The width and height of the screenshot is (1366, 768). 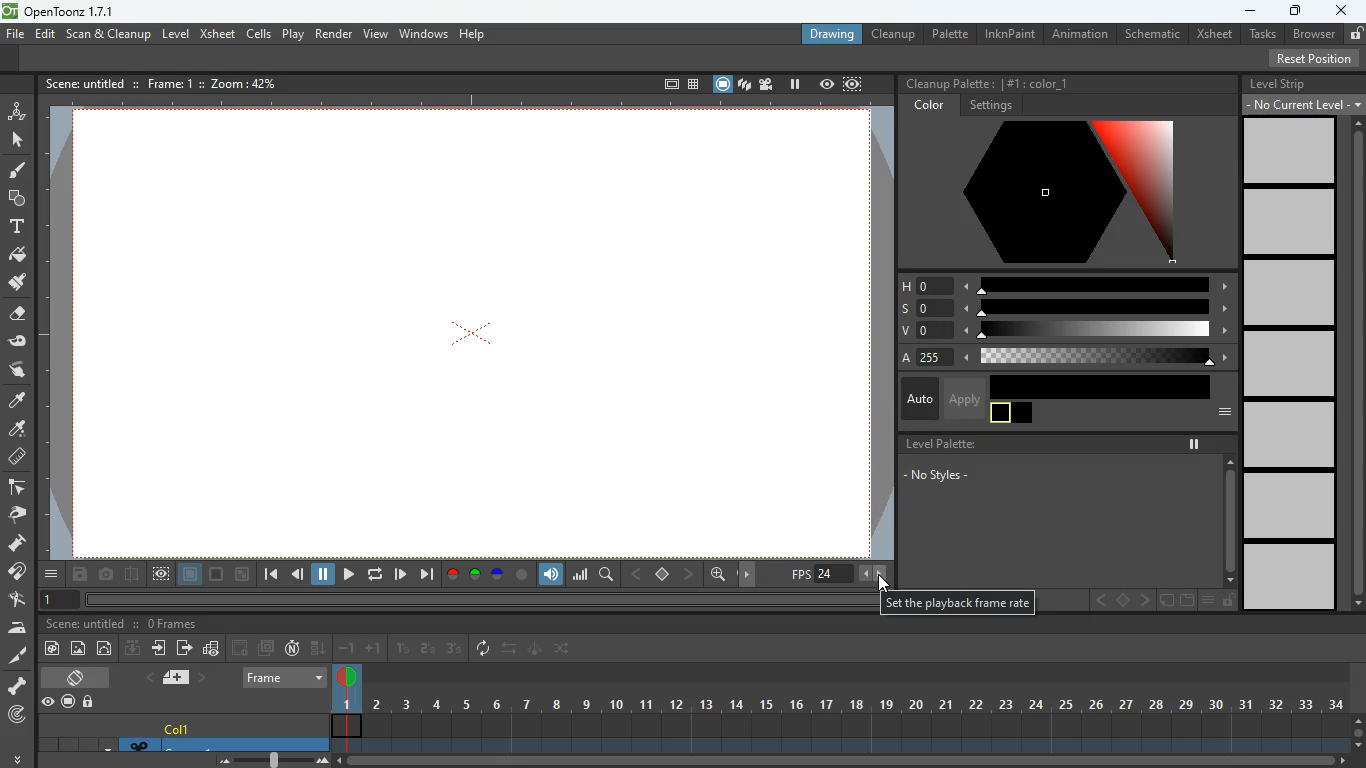 What do you see at coordinates (583, 577) in the screenshot?
I see `graph` at bounding box center [583, 577].